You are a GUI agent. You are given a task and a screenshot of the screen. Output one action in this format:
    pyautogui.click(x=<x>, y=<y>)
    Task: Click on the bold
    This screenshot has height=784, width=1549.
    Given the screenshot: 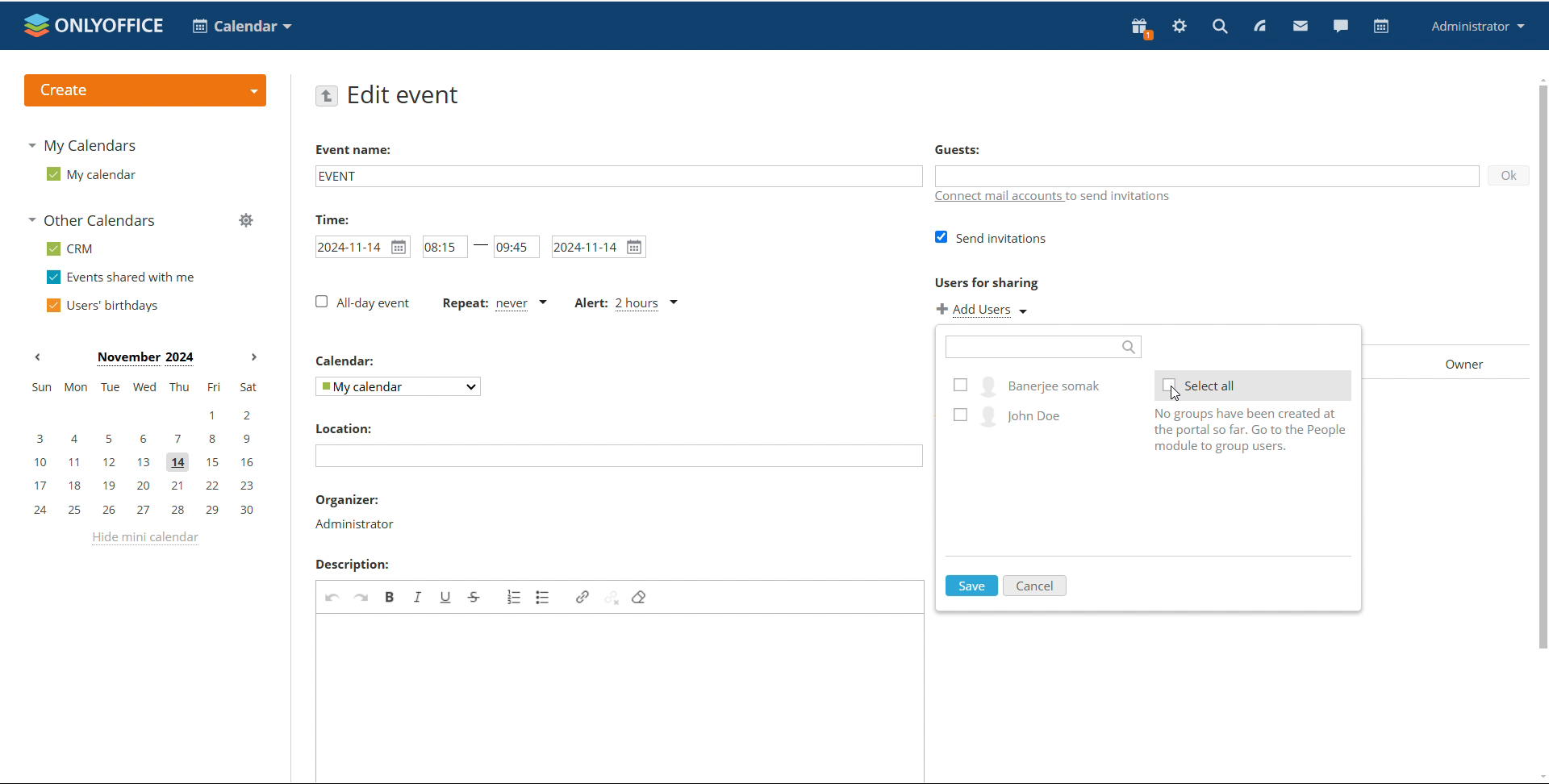 What is the action you would take?
    pyautogui.click(x=390, y=596)
    